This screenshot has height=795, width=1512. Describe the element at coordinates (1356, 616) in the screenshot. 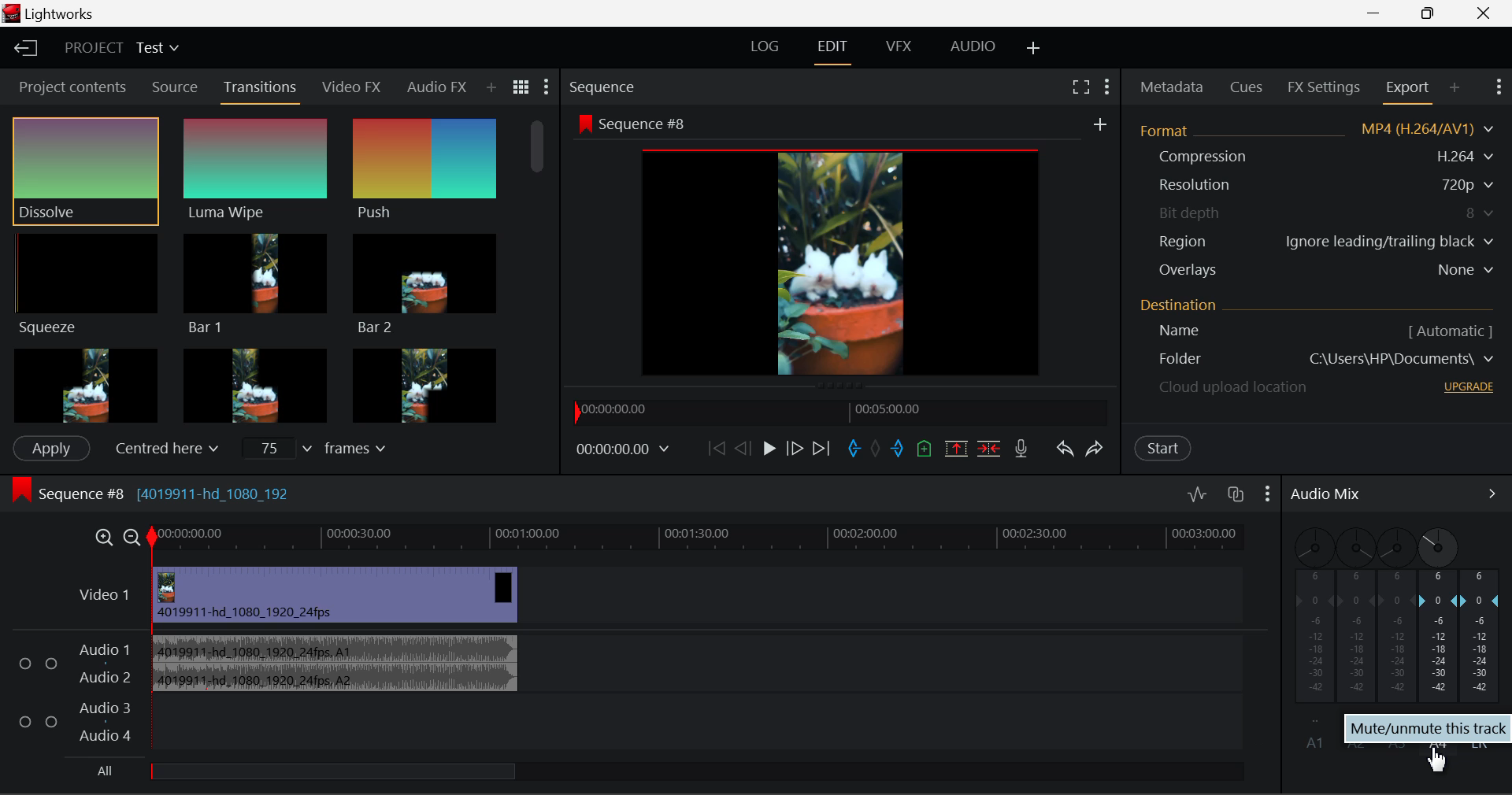

I see `A2 Disabled` at that location.